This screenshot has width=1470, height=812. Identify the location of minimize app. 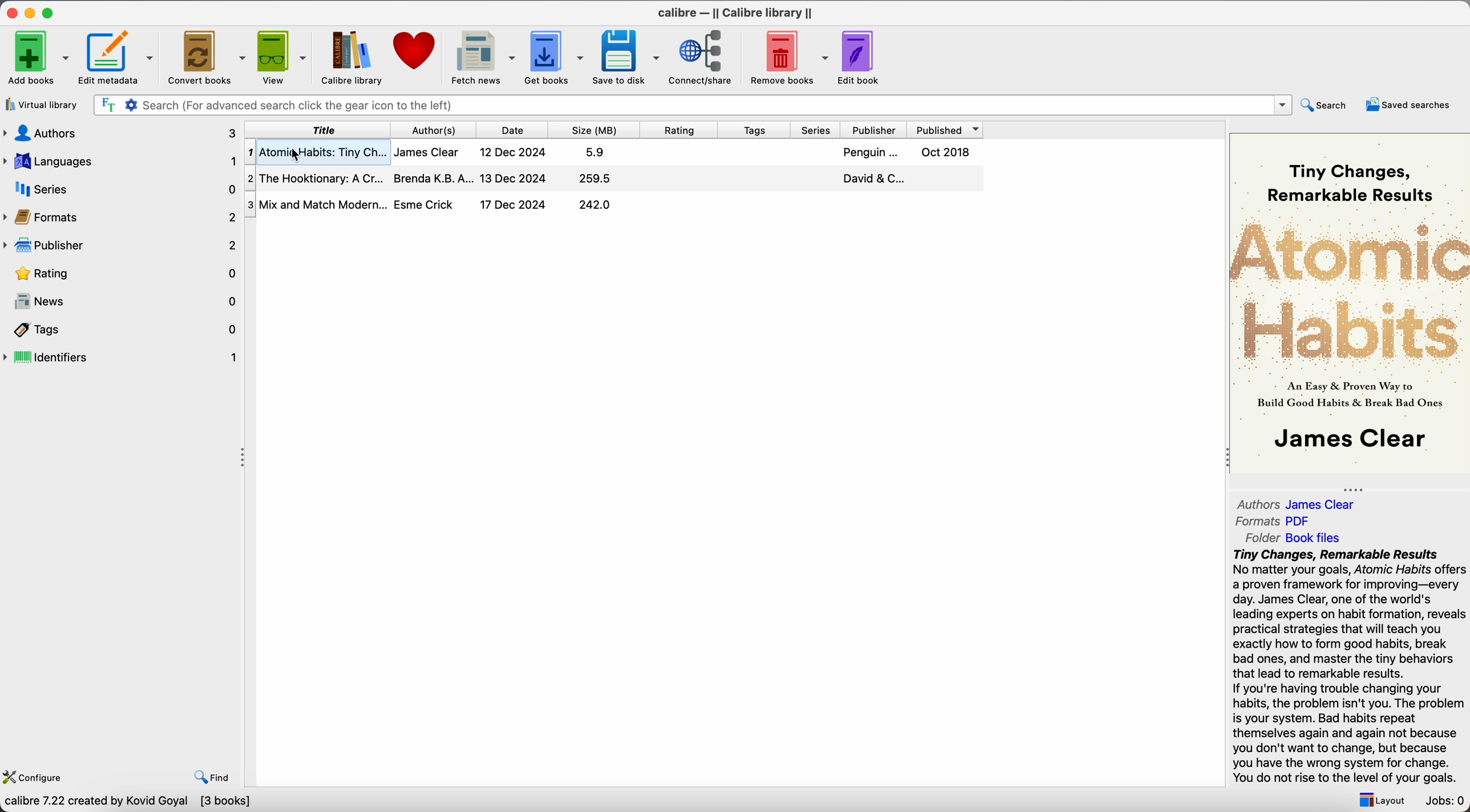
(32, 13).